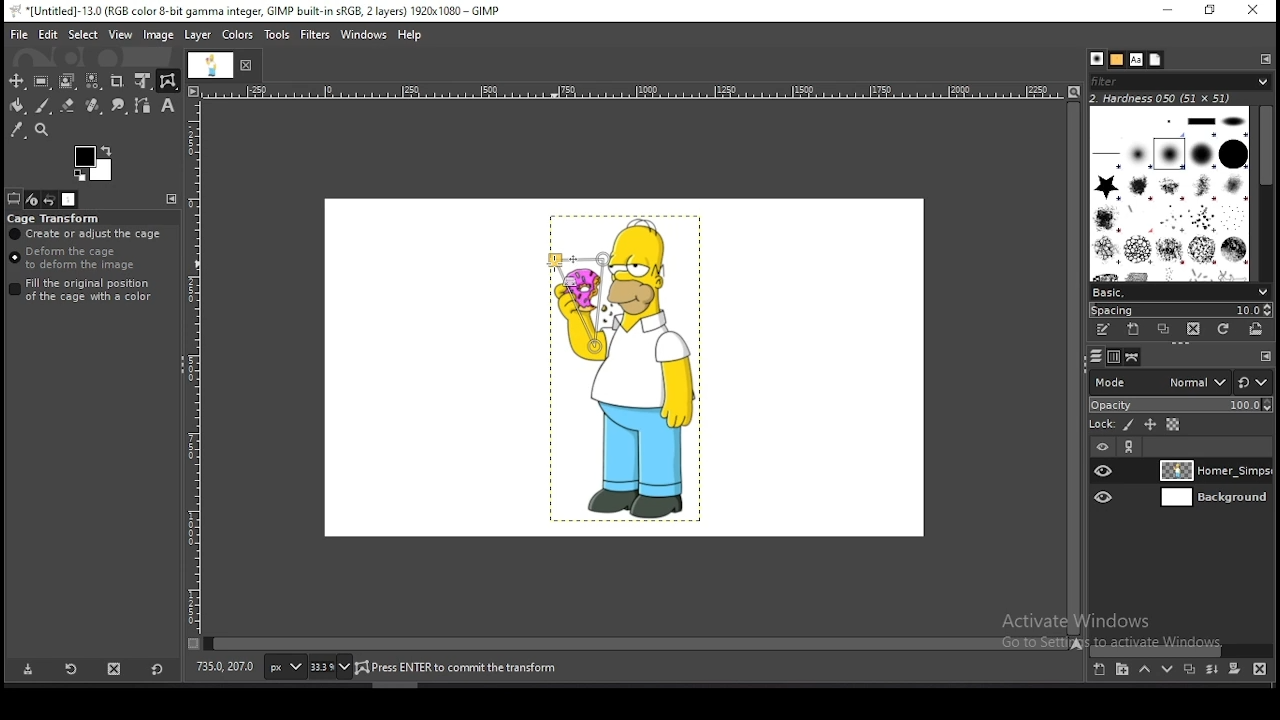 The image size is (1280, 720). Describe the element at coordinates (1212, 672) in the screenshot. I see `merge layers` at that location.